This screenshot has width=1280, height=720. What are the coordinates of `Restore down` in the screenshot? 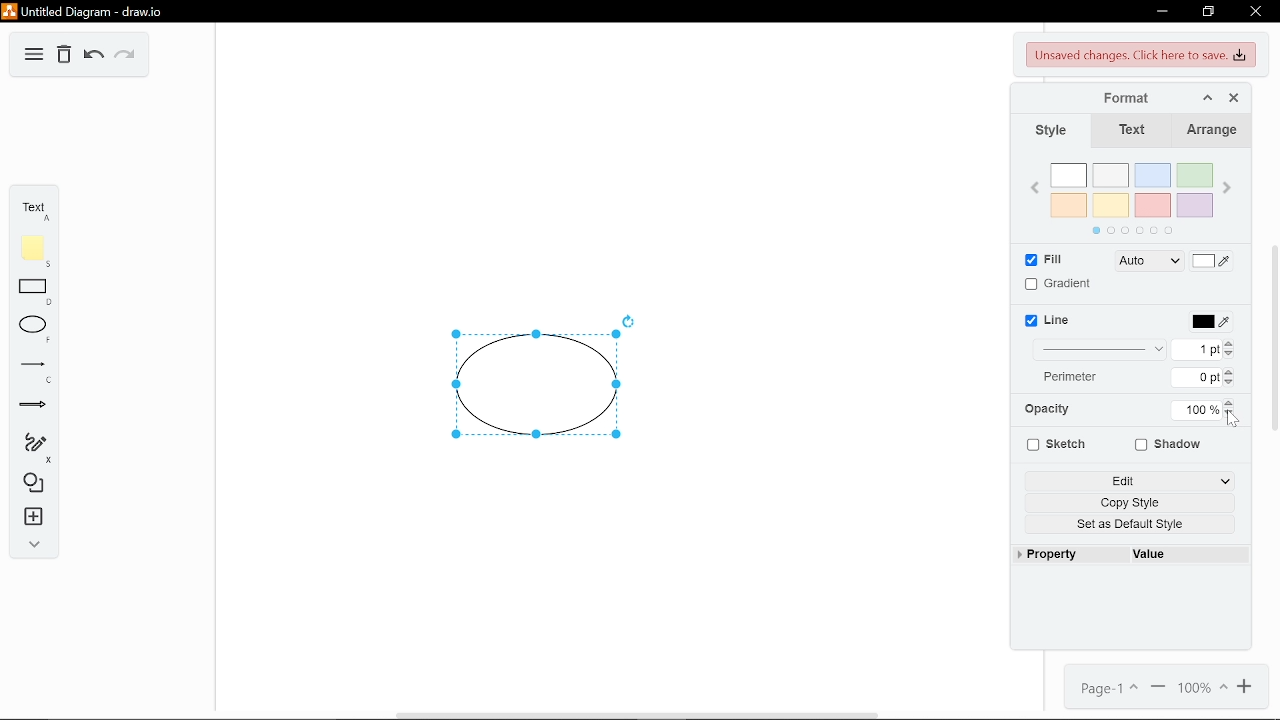 It's located at (1210, 12).